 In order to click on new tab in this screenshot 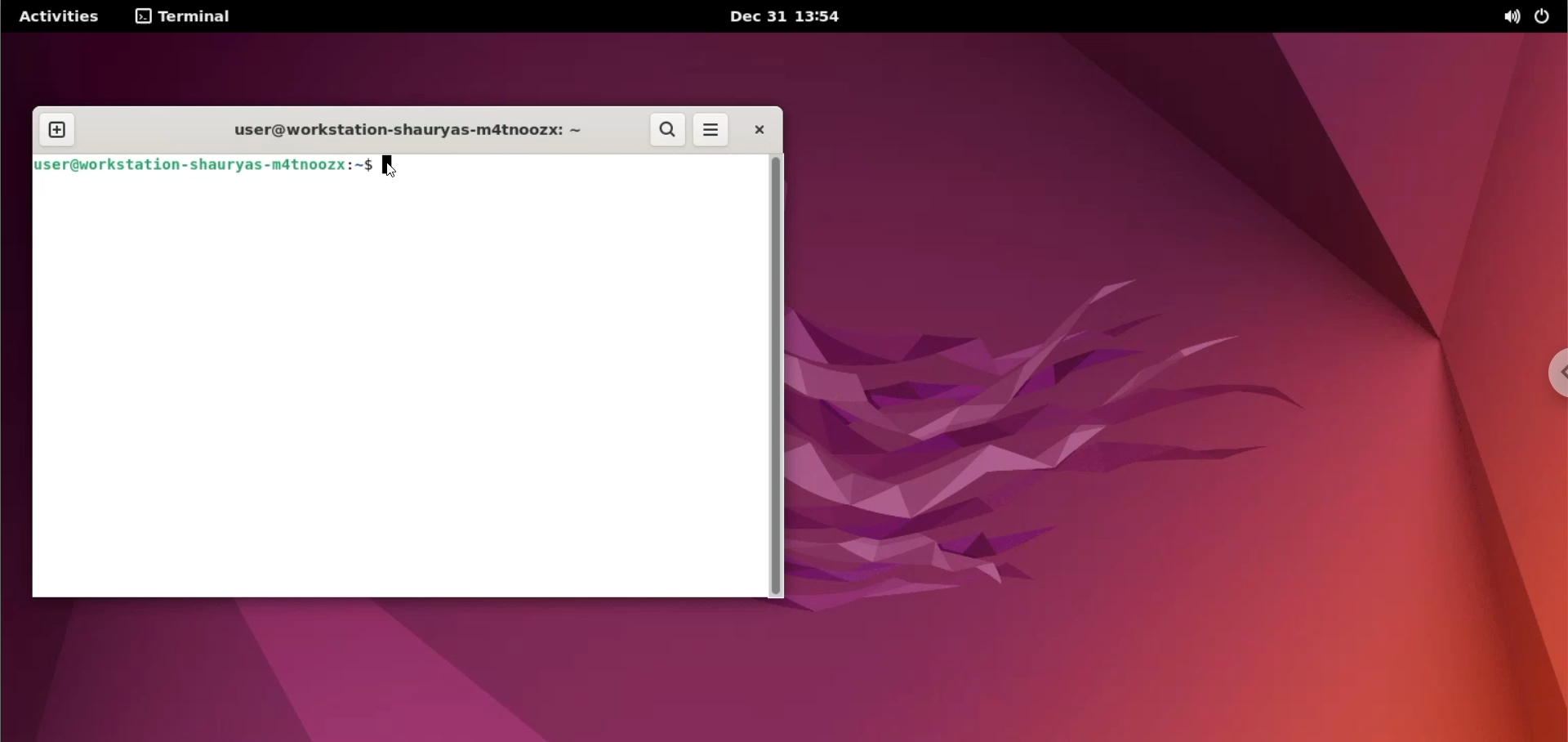, I will do `click(56, 131)`.